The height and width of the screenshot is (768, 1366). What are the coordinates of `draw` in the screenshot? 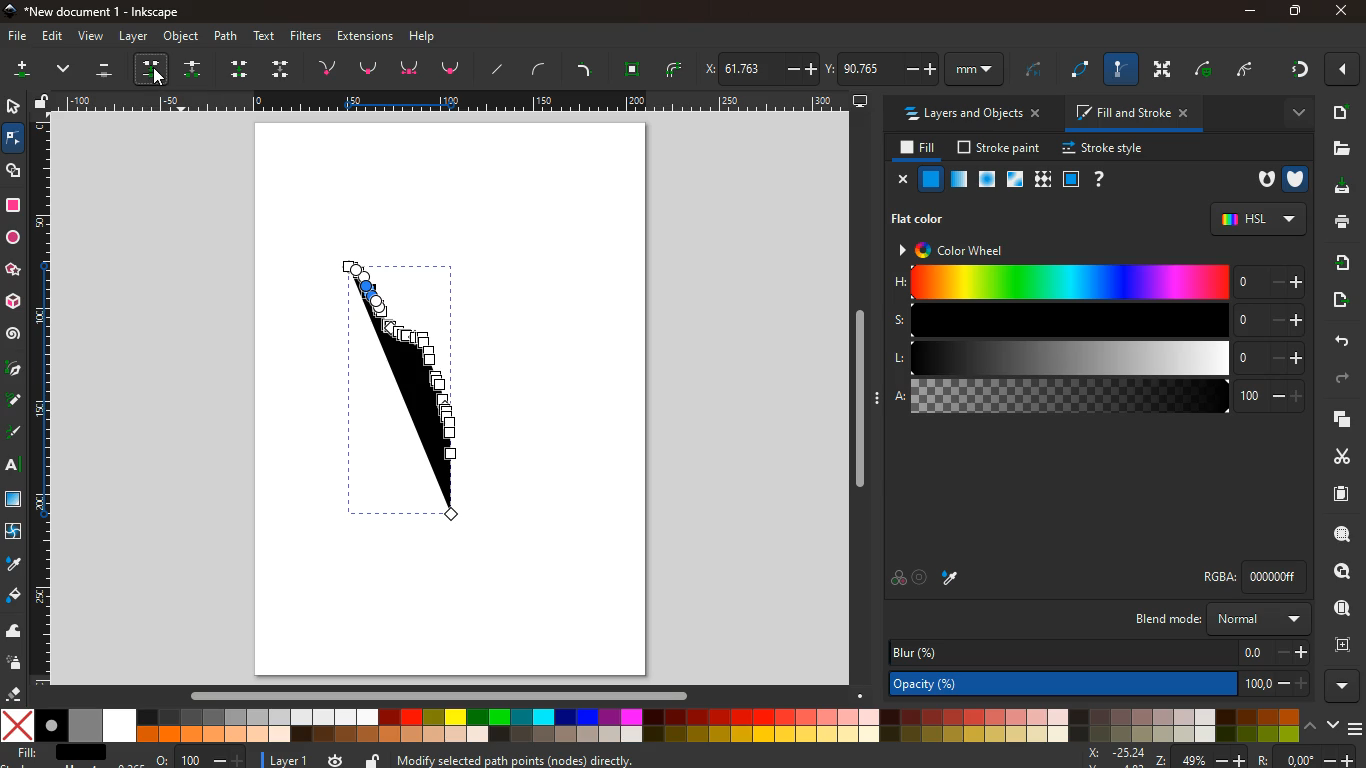 It's located at (409, 391).